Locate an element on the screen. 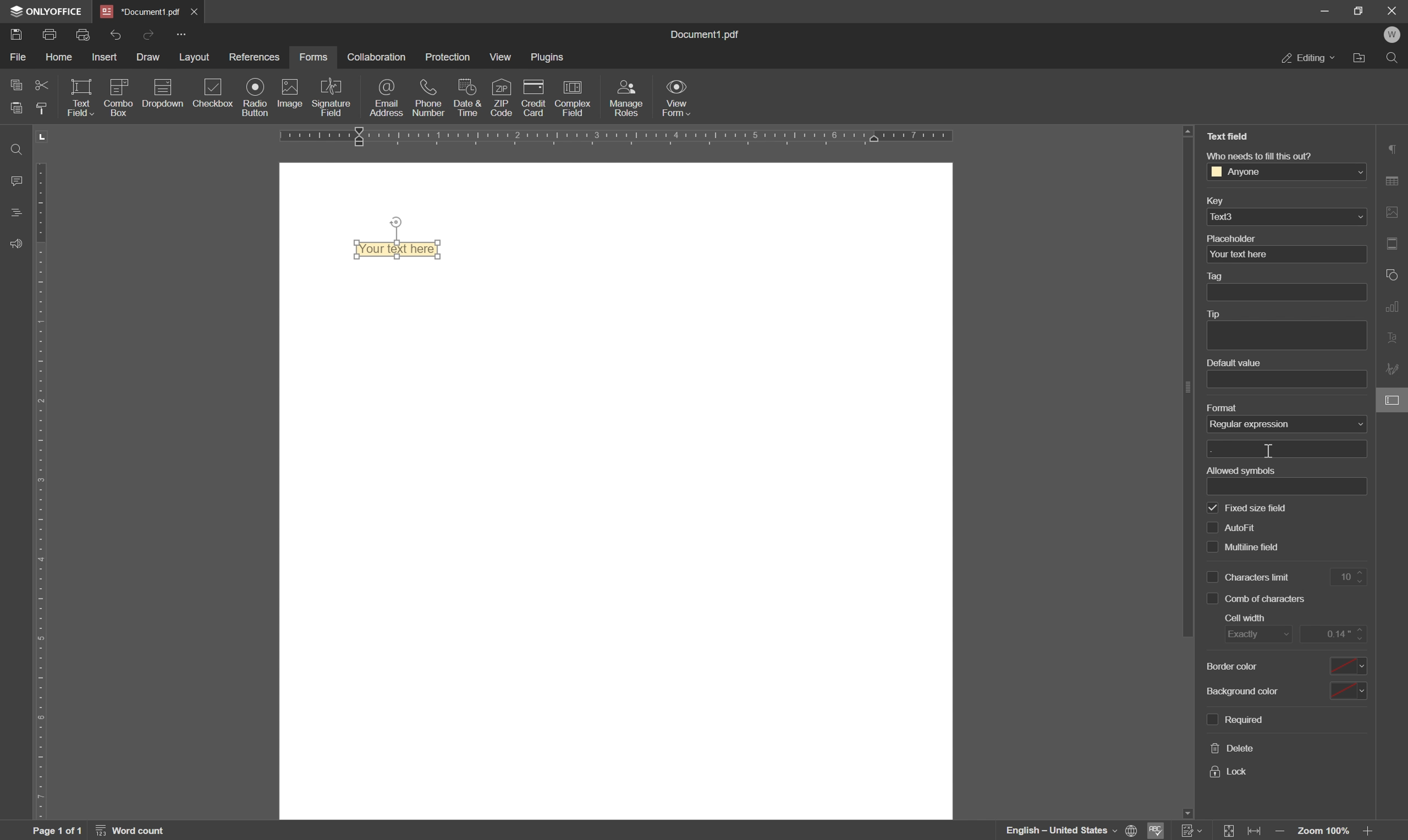 The width and height of the screenshot is (1408, 840). 10 is located at coordinates (1352, 577).